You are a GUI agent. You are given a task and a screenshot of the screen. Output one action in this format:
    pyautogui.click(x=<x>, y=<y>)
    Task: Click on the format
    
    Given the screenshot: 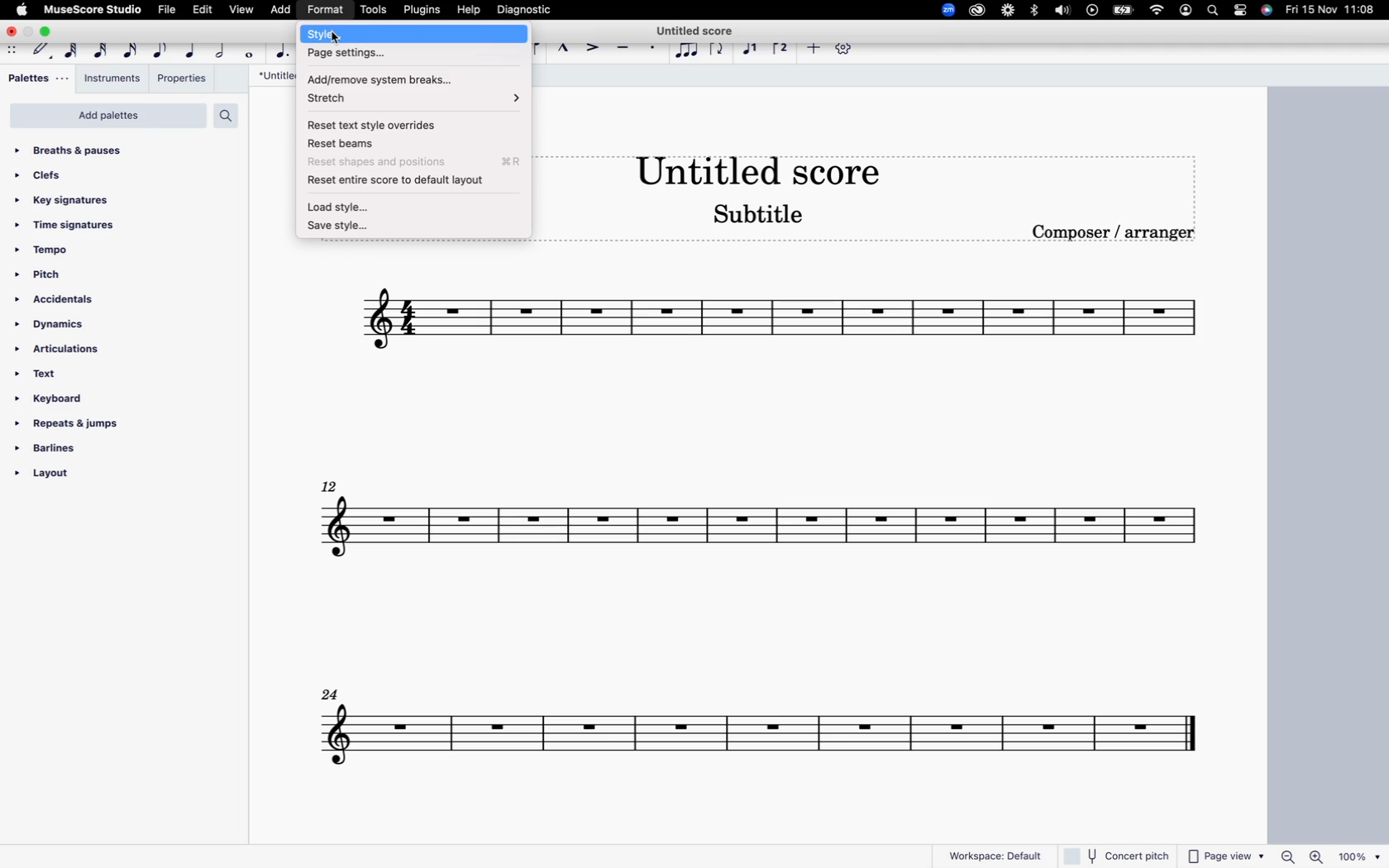 What is the action you would take?
    pyautogui.click(x=326, y=12)
    